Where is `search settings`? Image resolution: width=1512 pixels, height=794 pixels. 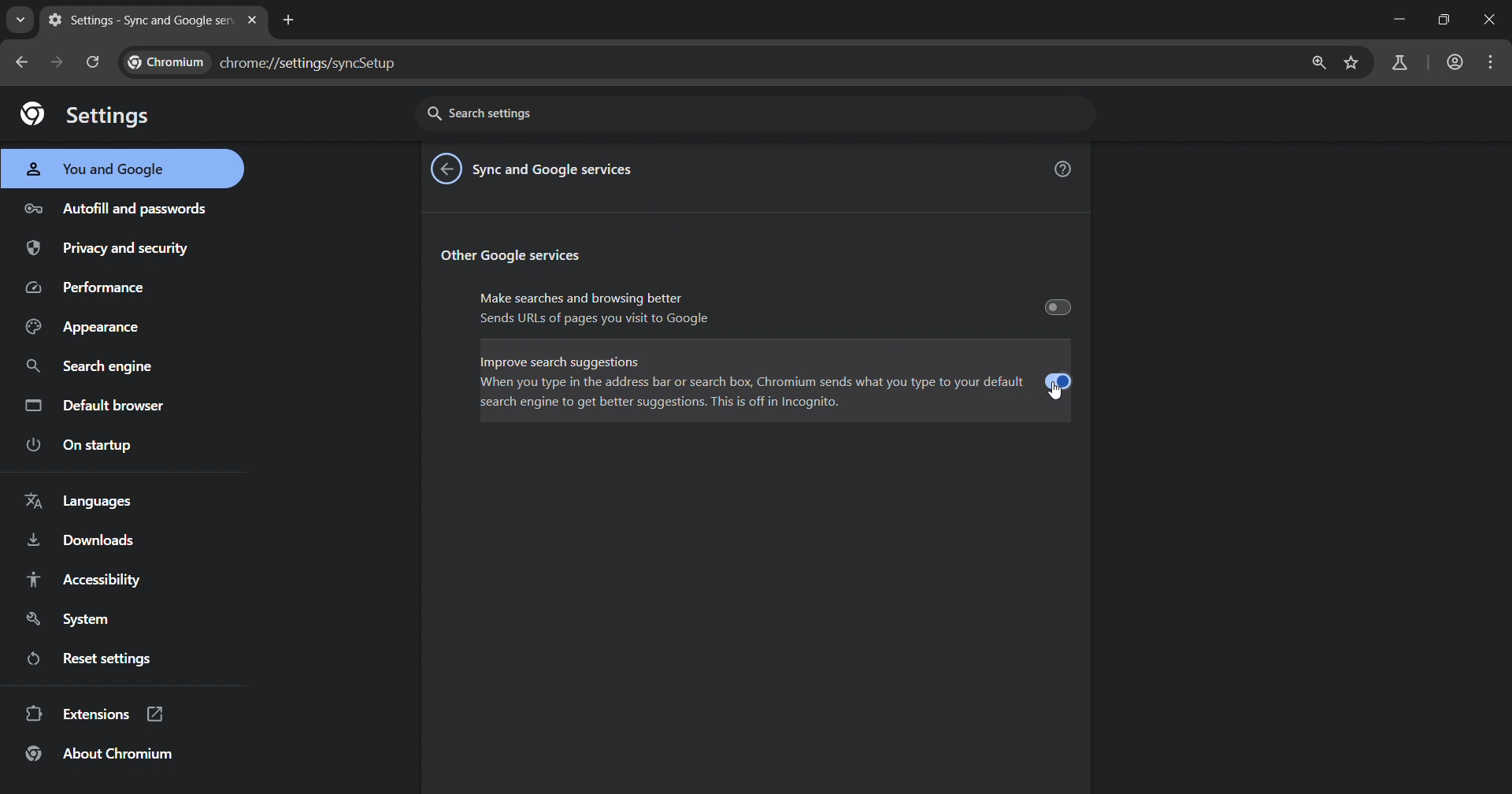 search settings is located at coordinates (655, 110).